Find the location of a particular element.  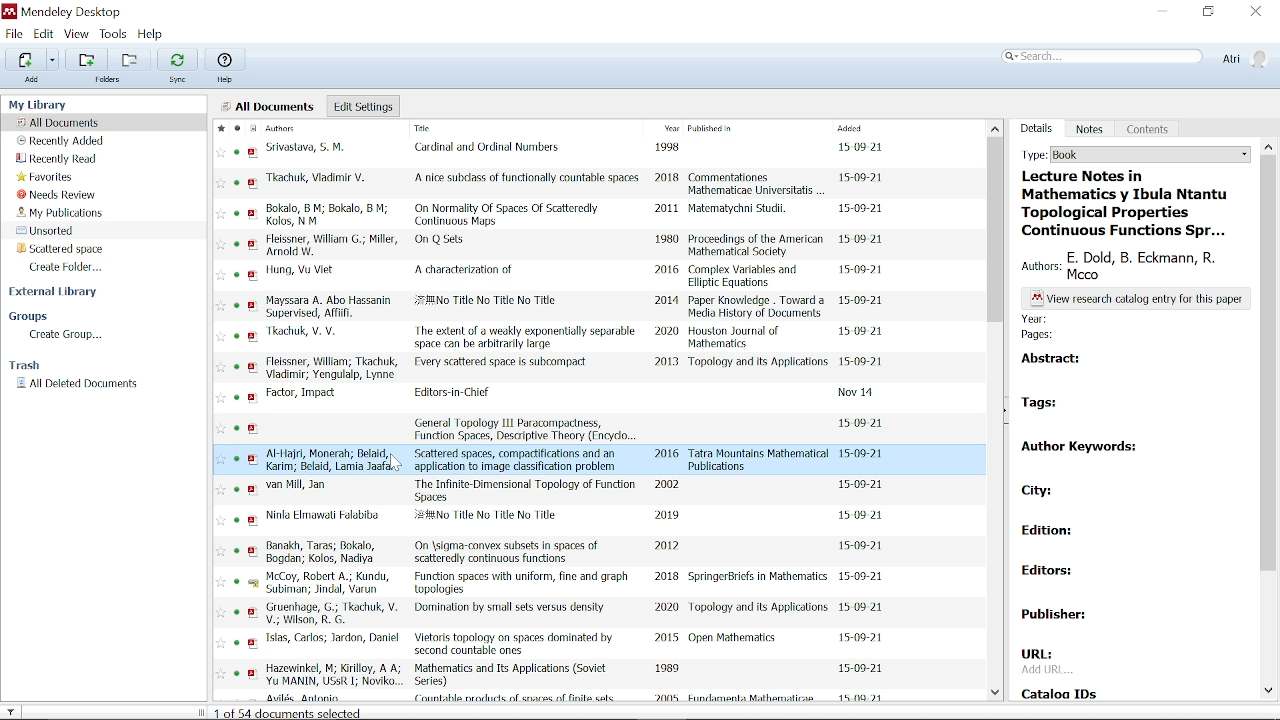

My publications is located at coordinates (59, 212).